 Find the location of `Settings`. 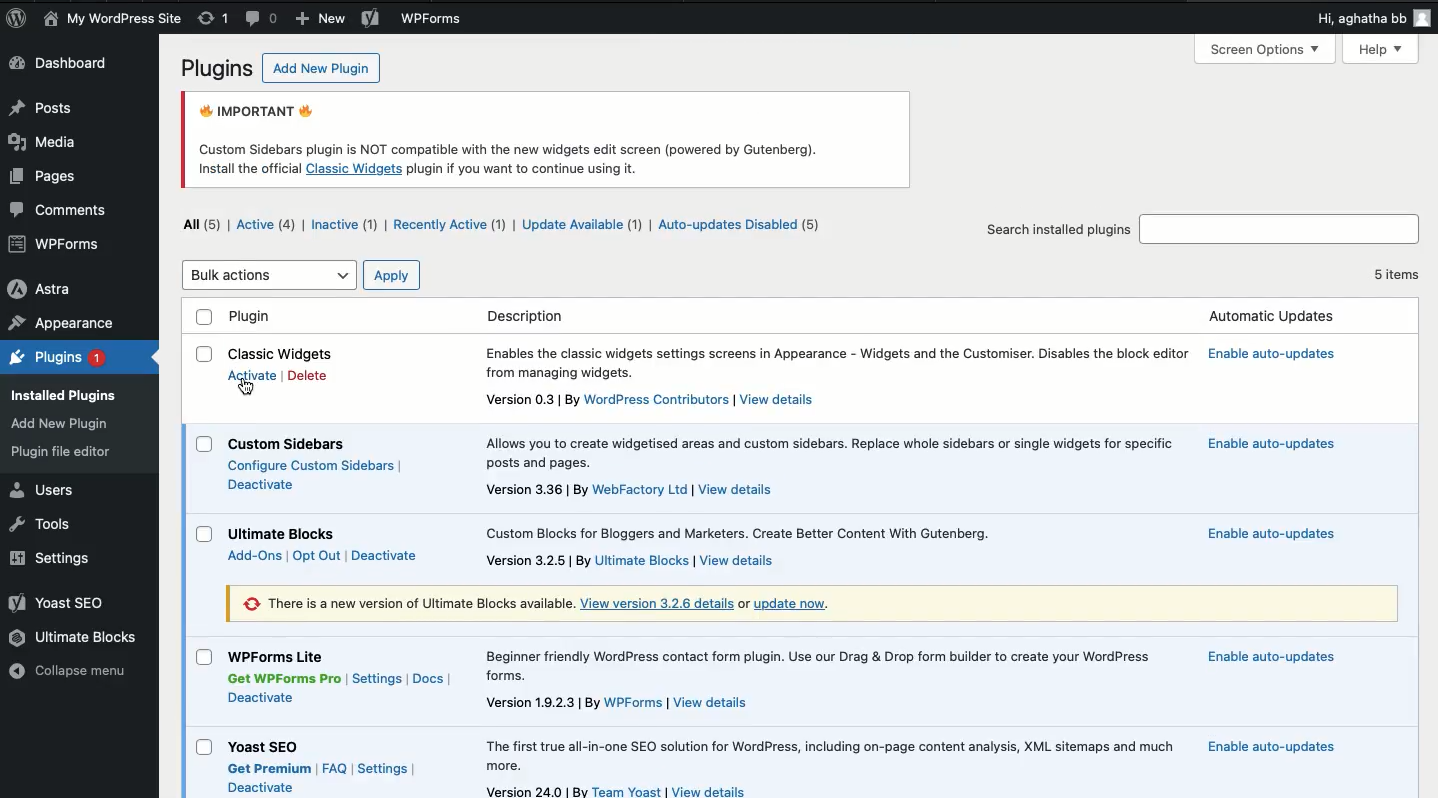

Settings is located at coordinates (378, 680).